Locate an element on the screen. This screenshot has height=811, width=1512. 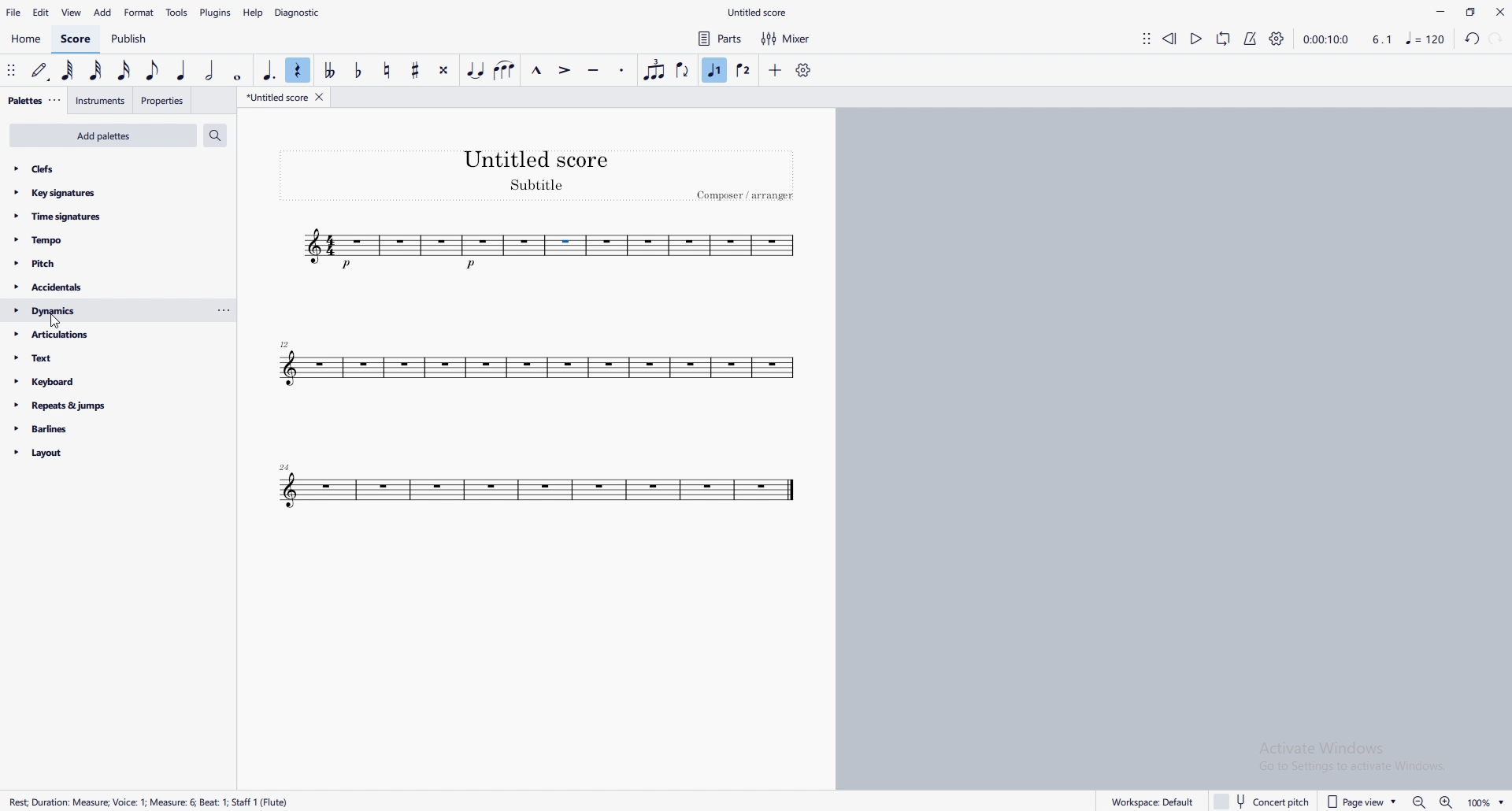
diagnostic is located at coordinates (300, 13).